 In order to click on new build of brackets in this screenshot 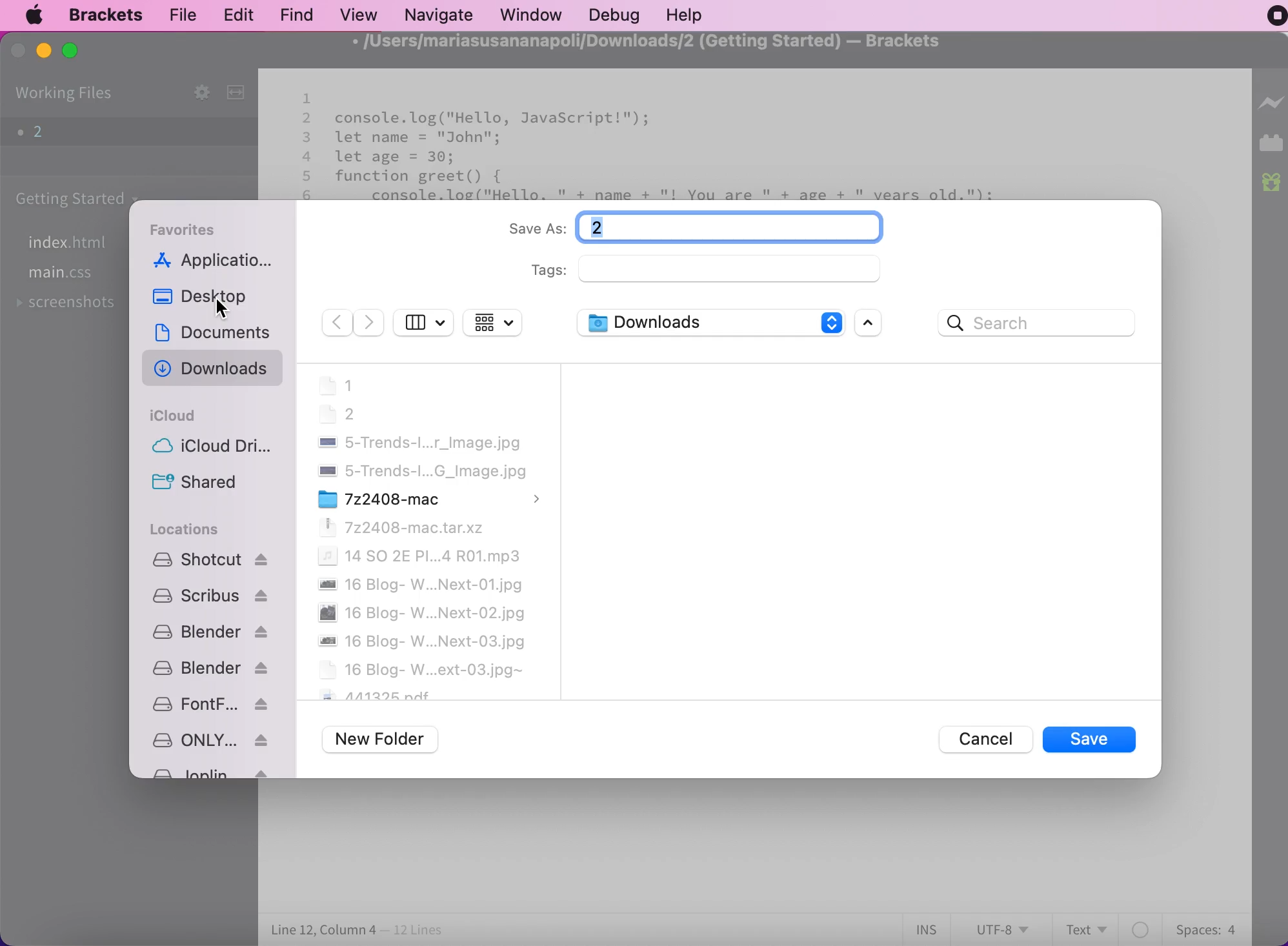, I will do `click(1272, 184)`.